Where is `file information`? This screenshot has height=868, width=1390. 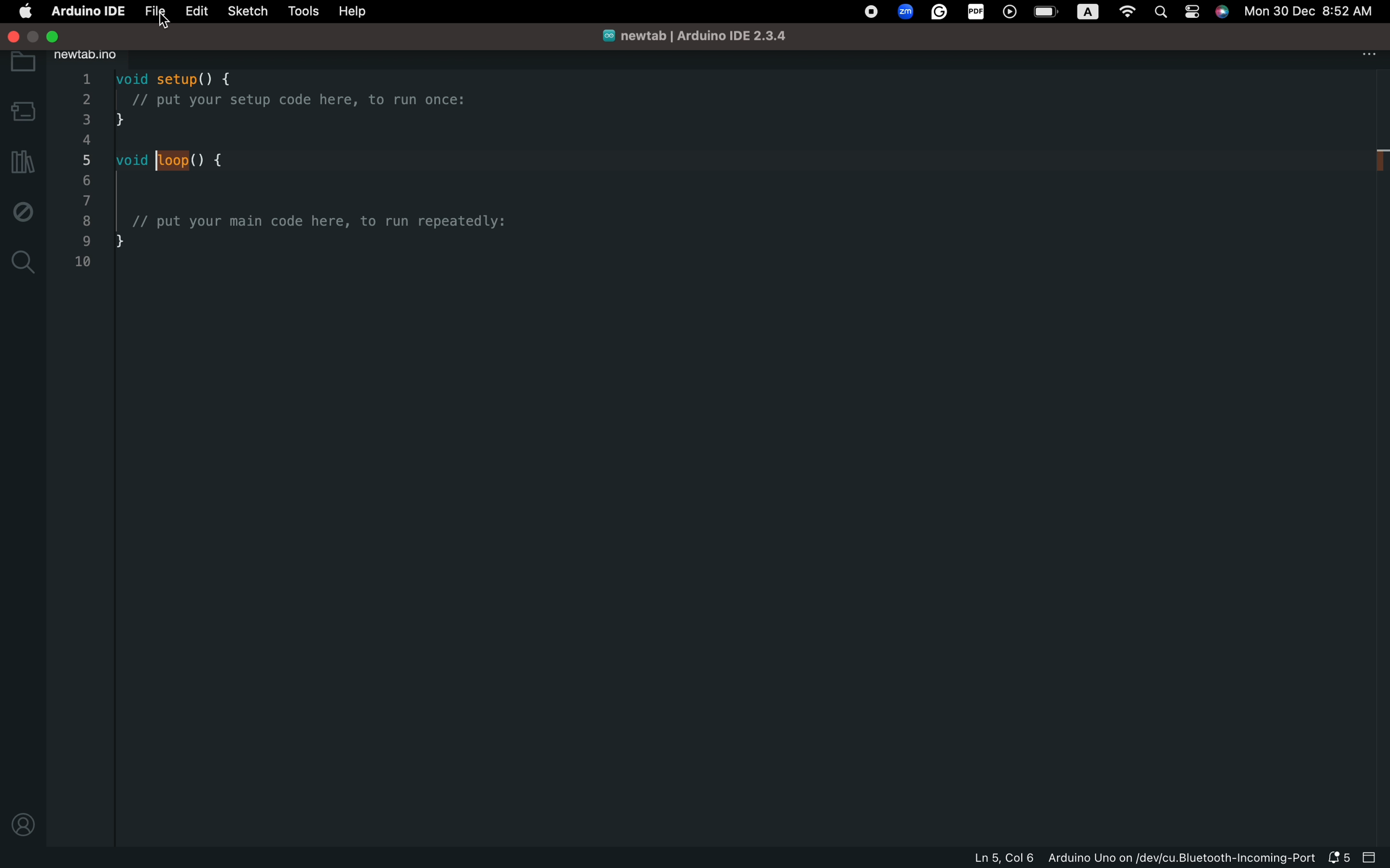 file information is located at coordinates (1140, 858).